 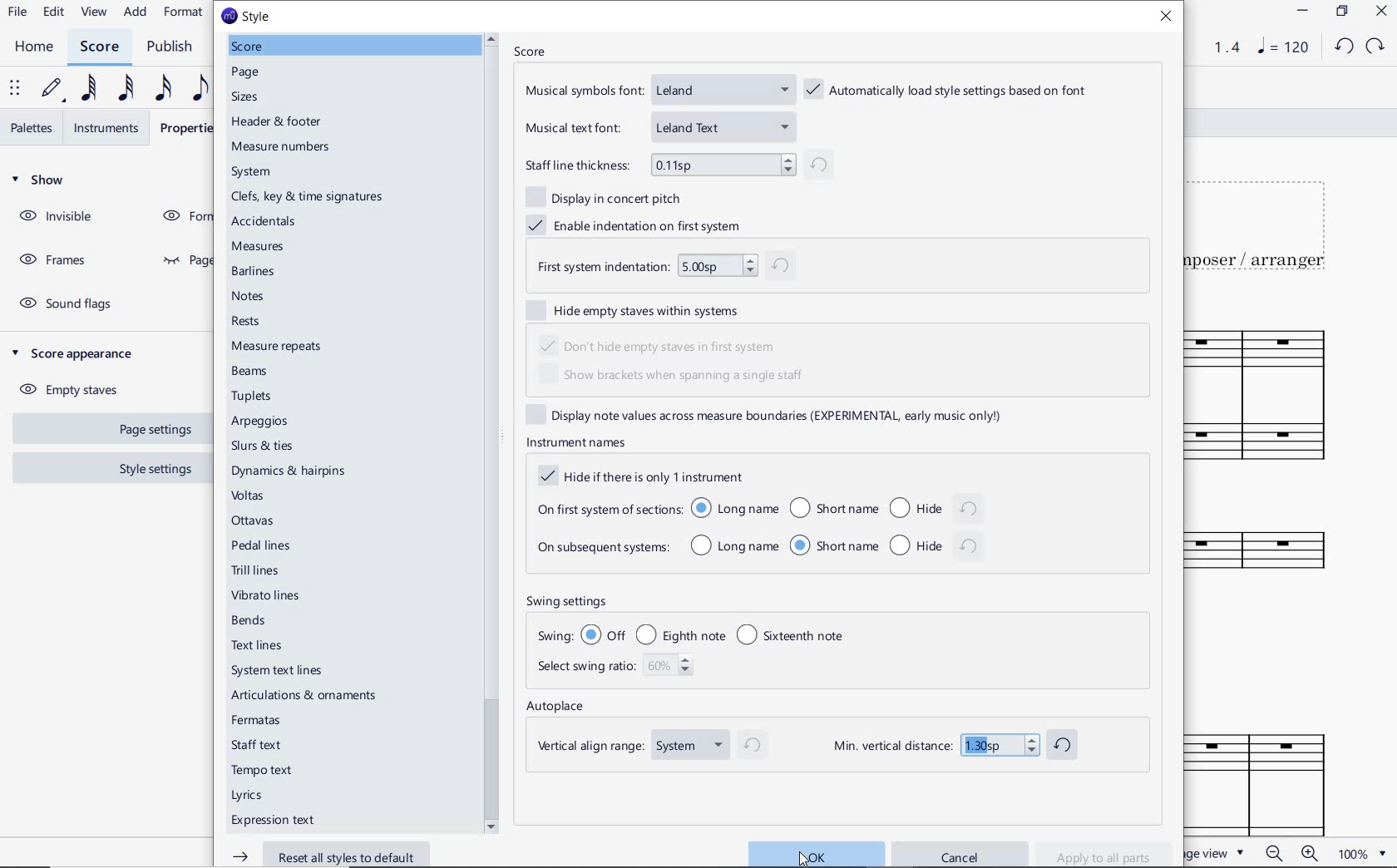 I want to click on ENABLE INDENTATION ON FIRST SYSTEM, so click(x=641, y=223).